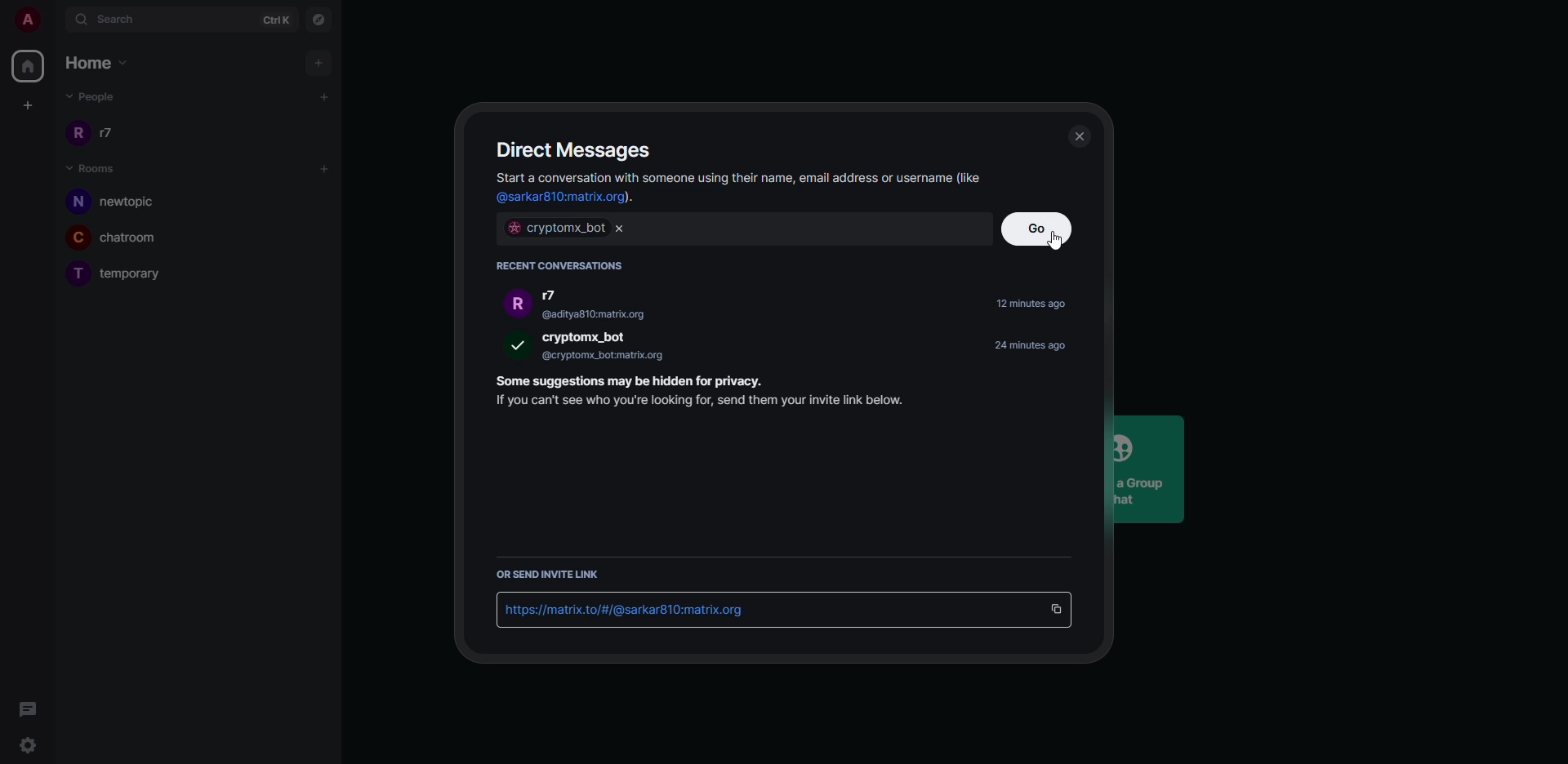 This screenshot has width=1568, height=764. Describe the element at coordinates (319, 20) in the screenshot. I see `navigator` at that location.